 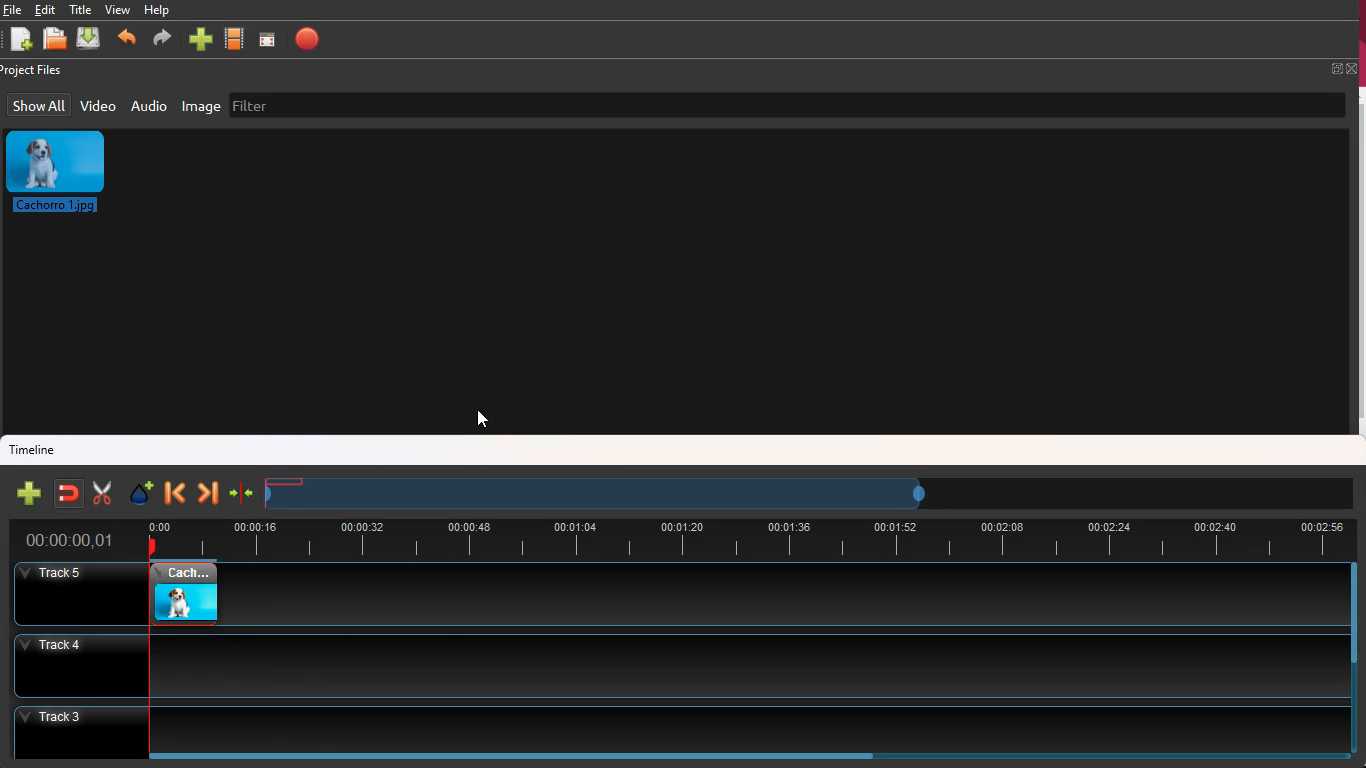 What do you see at coordinates (597, 491) in the screenshot?
I see `timeframe` at bounding box center [597, 491].